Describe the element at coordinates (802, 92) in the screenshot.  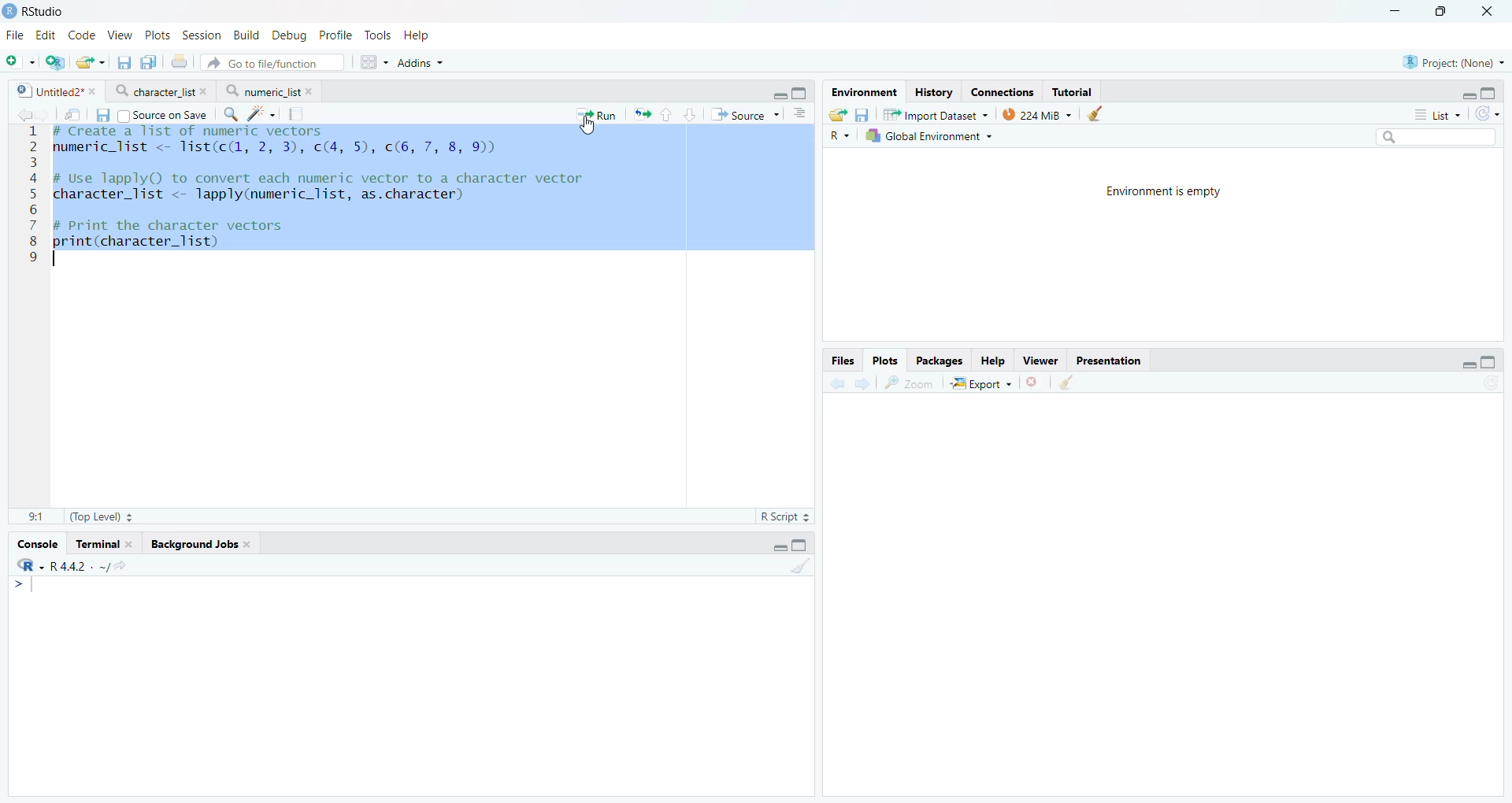
I see `Full Height` at that location.